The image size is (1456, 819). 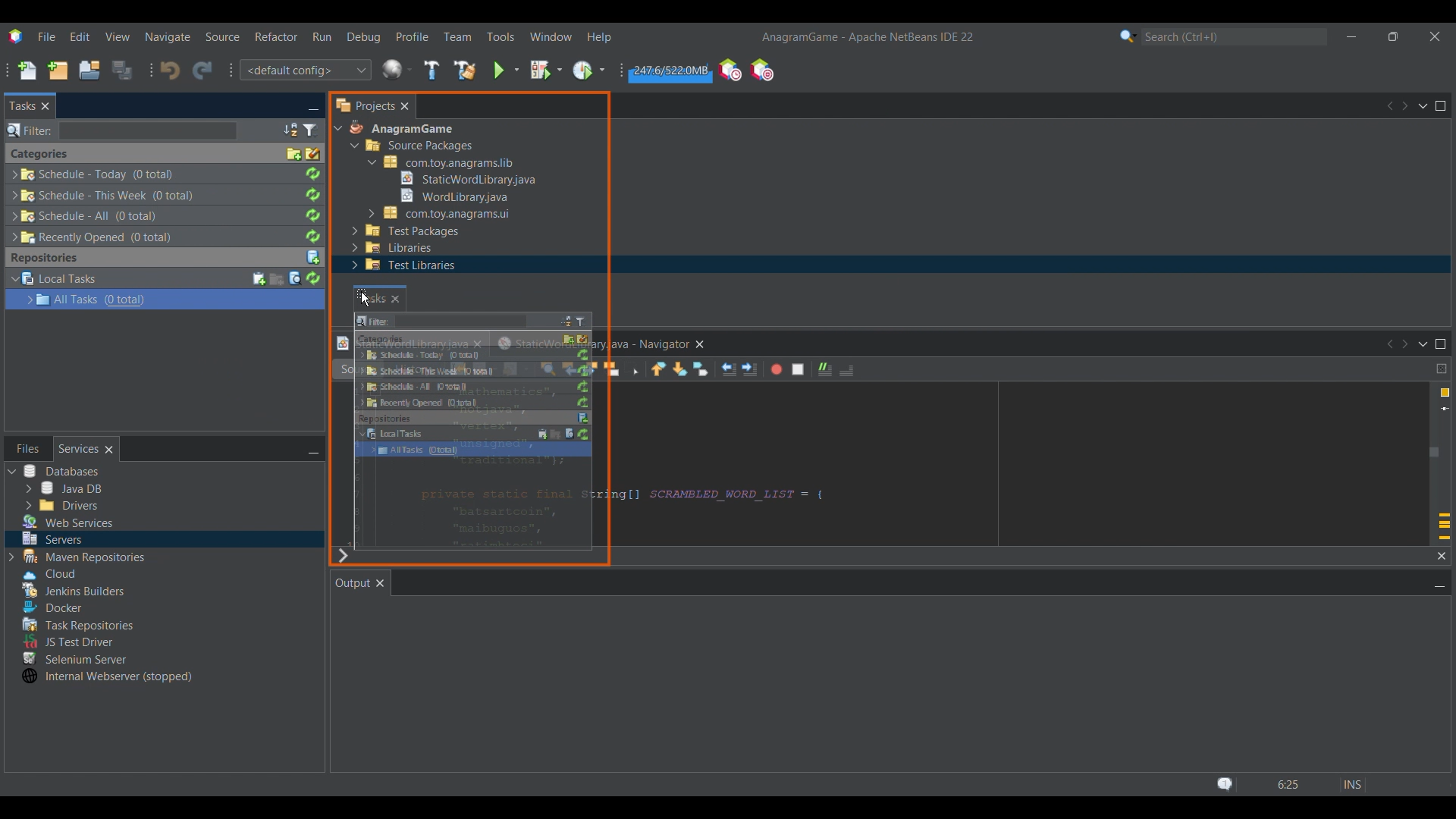 I want to click on Maximize window, so click(x=1440, y=105).